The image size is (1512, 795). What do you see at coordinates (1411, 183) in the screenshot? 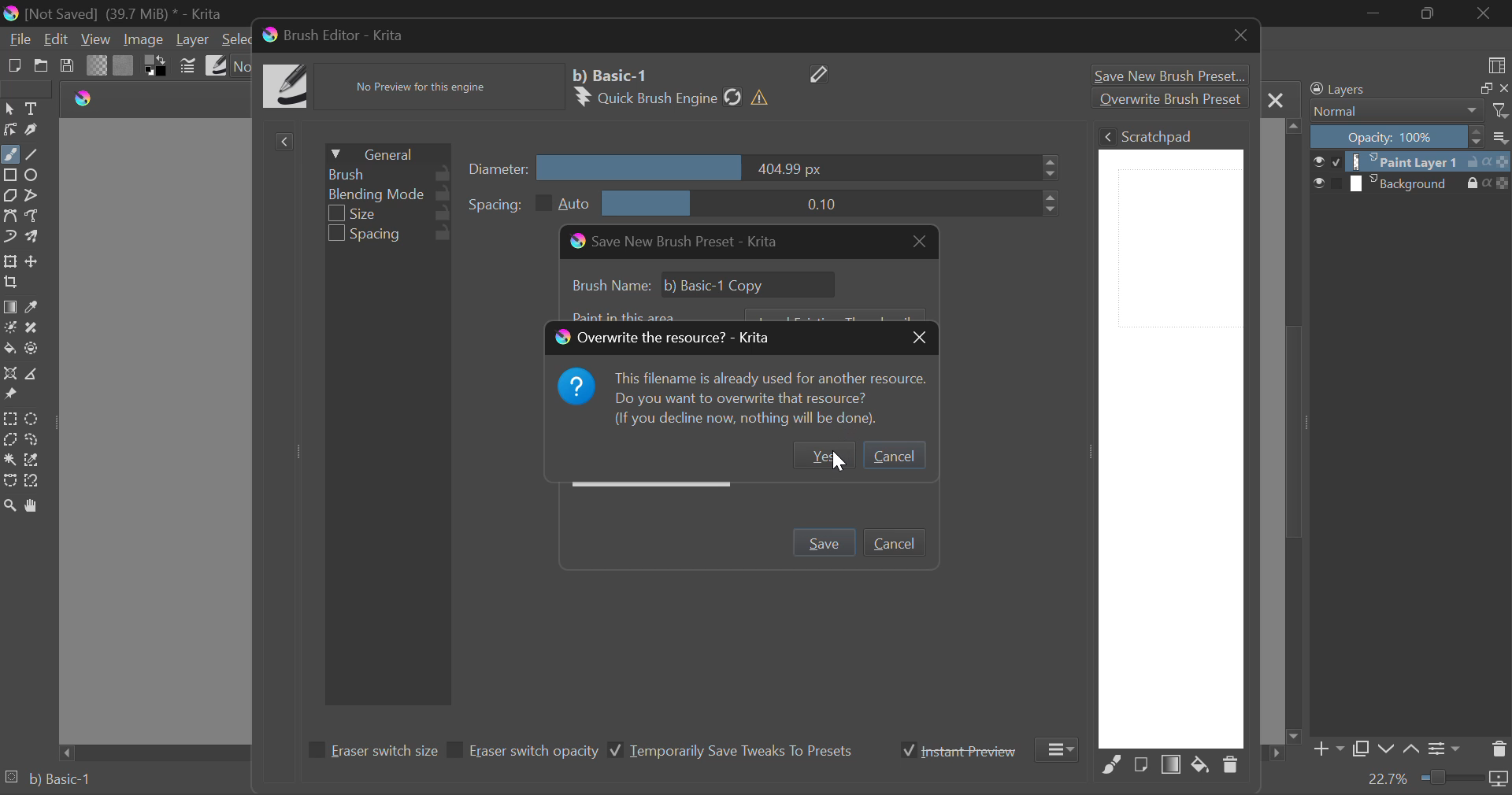
I see `Background` at bounding box center [1411, 183].